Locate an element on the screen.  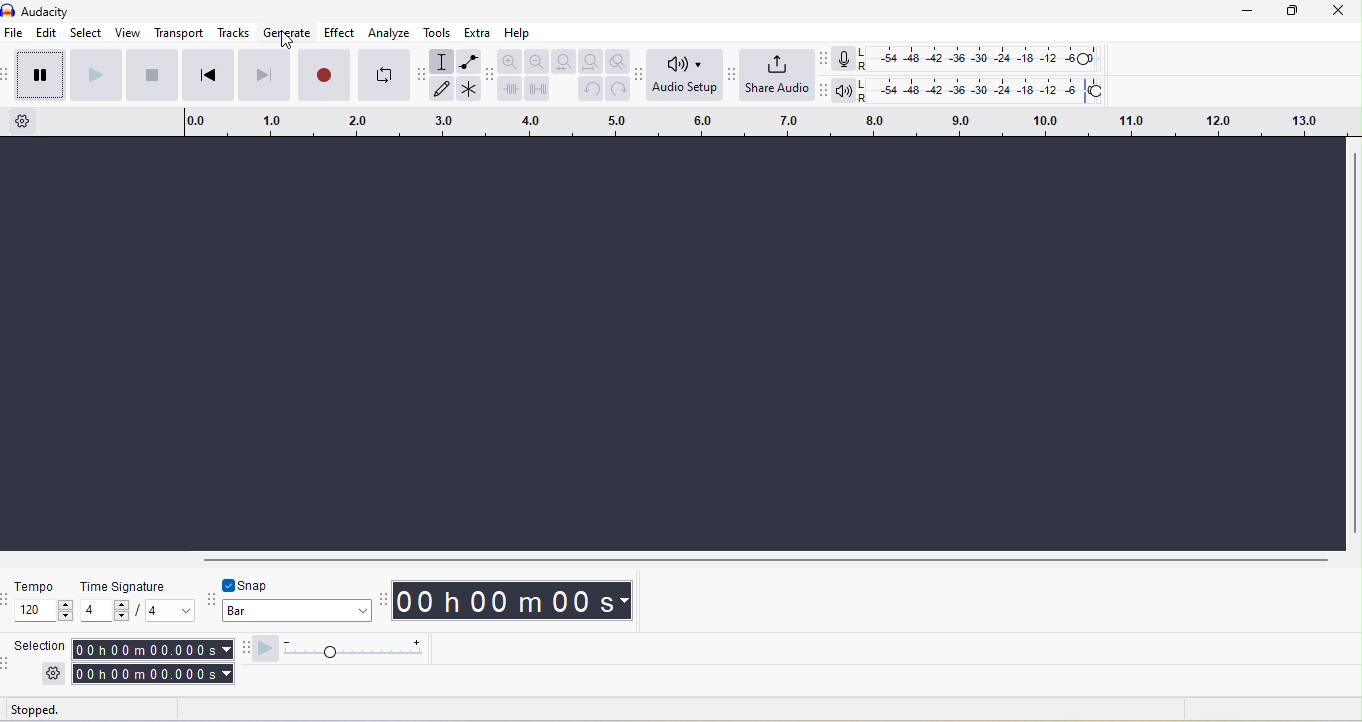
envelope tool  is located at coordinates (470, 60).